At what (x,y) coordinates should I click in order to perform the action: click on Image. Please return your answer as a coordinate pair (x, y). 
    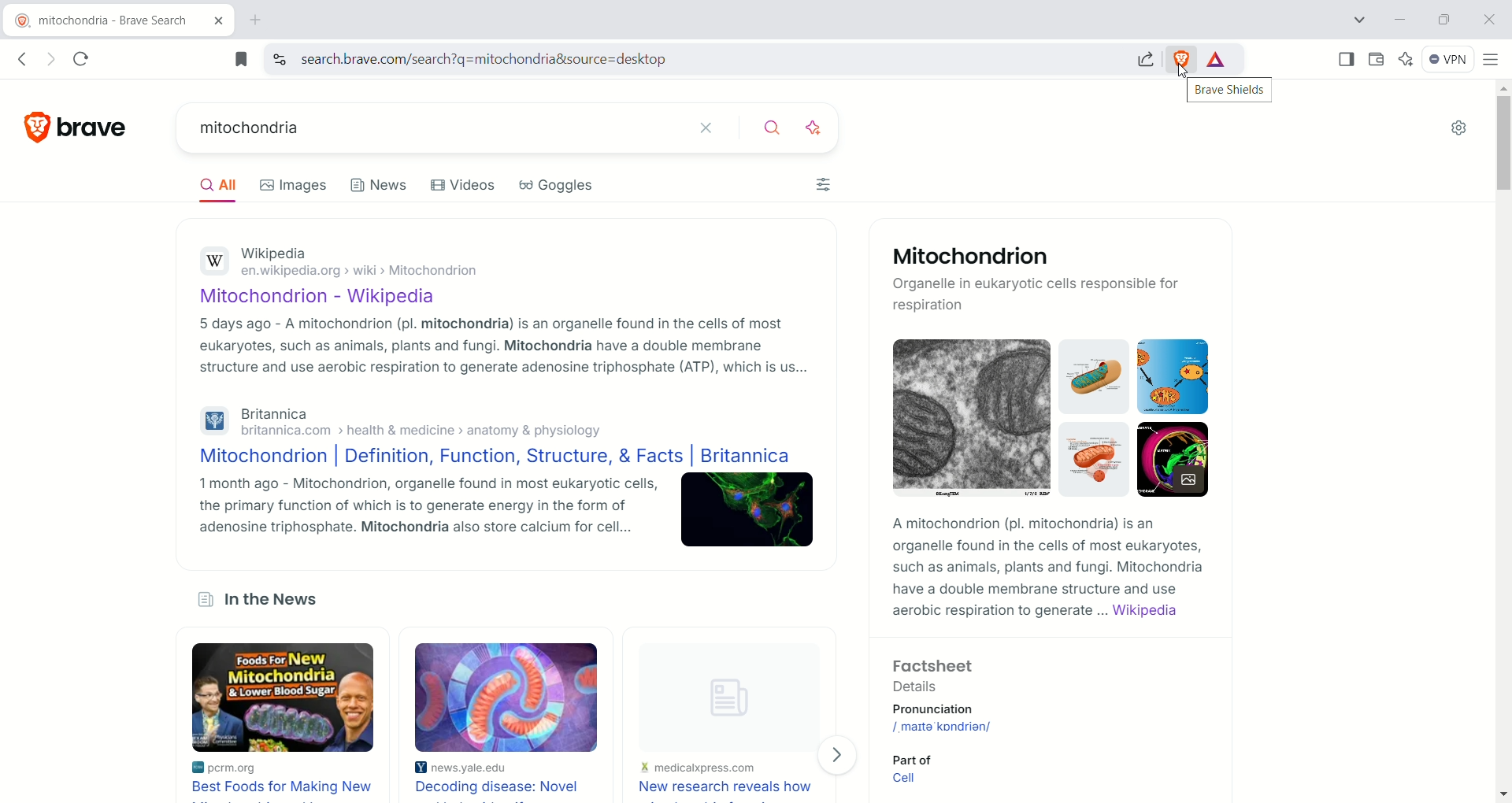
    Looking at the image, I should click on (1173, 376).